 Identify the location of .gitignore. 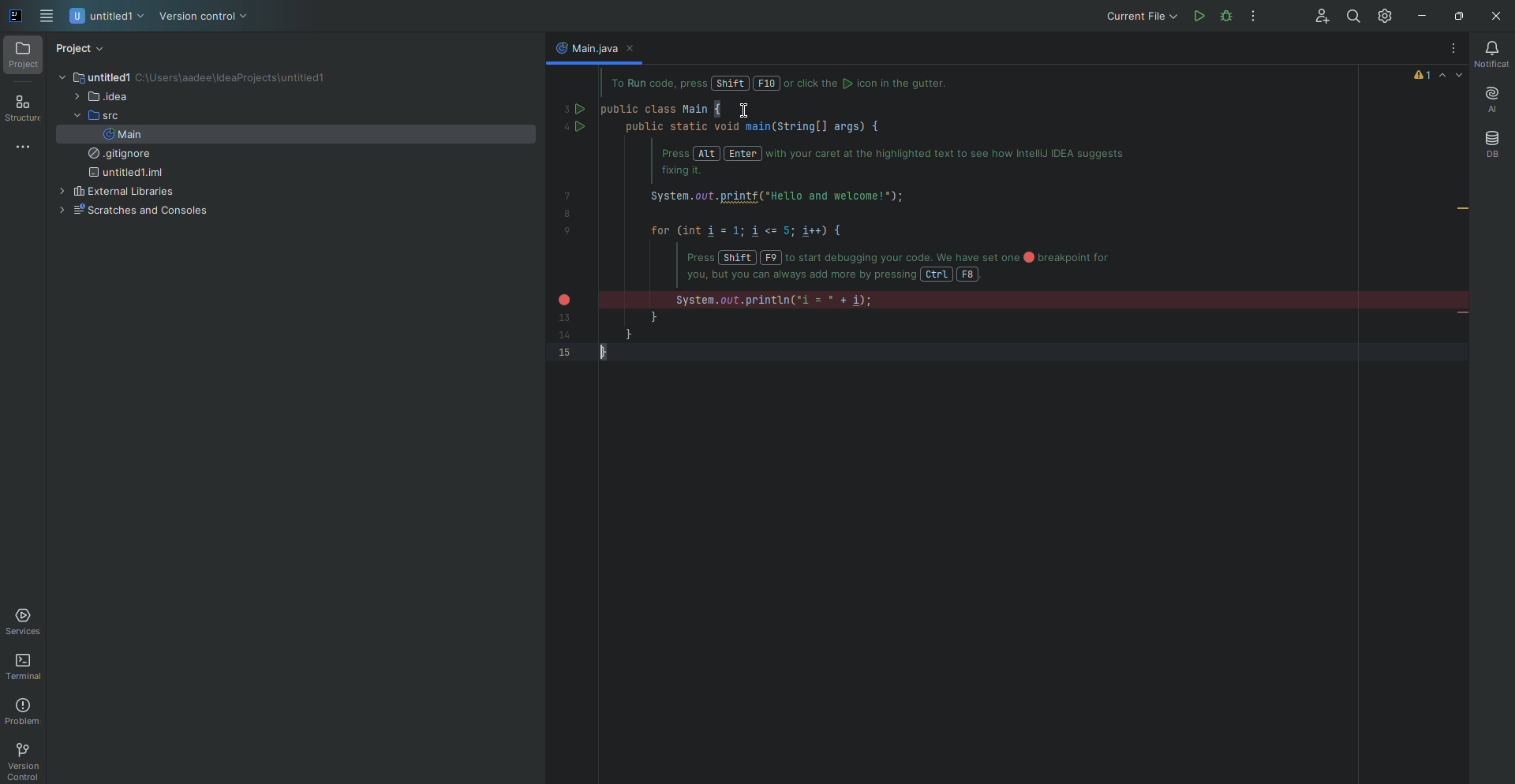
(115, 155).